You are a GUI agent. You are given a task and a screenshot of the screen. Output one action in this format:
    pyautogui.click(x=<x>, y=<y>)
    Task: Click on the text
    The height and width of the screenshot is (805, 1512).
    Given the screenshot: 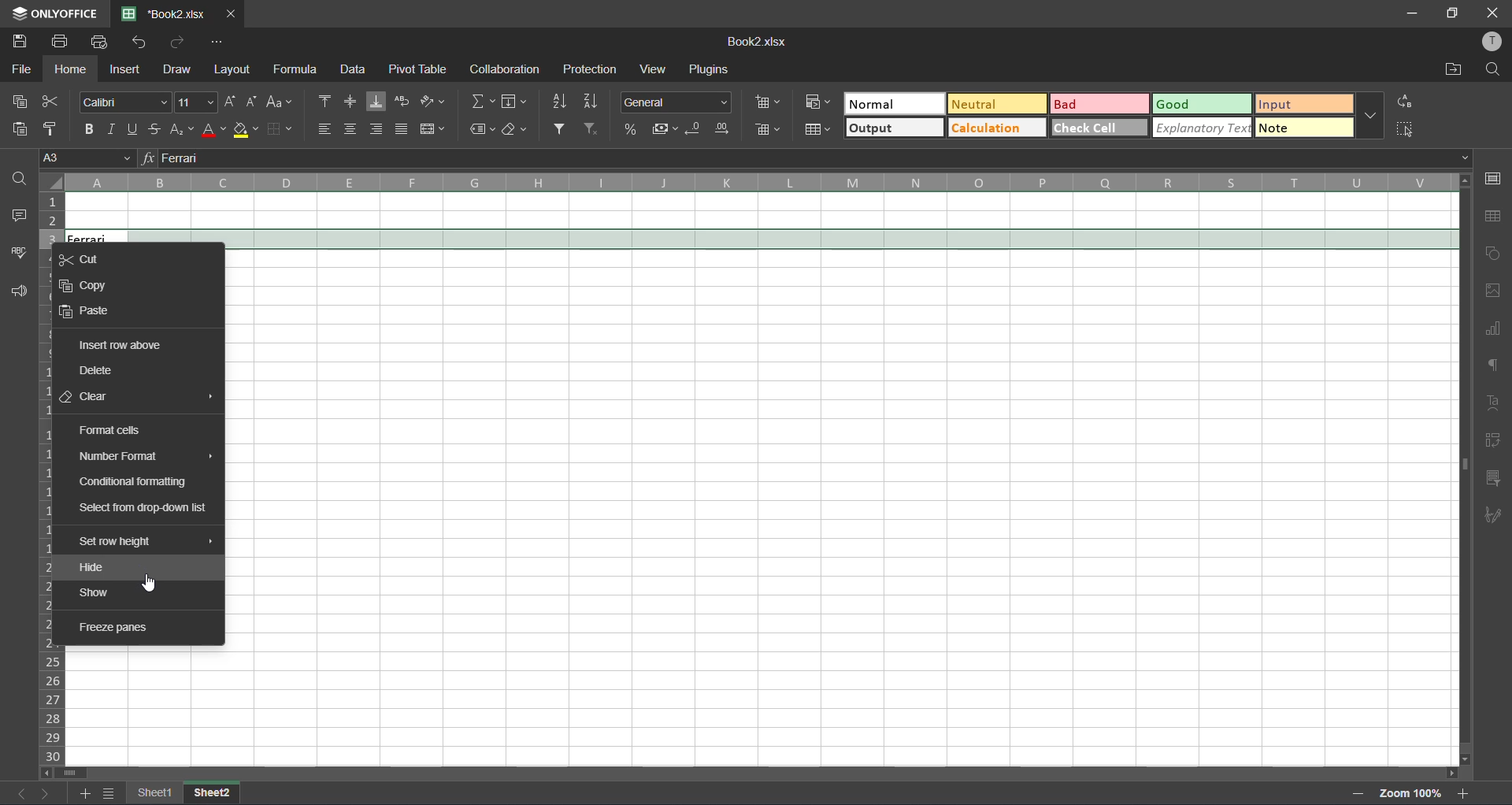 What is the action you would take?
    pyautogui.click(x=1492, y=403)
    